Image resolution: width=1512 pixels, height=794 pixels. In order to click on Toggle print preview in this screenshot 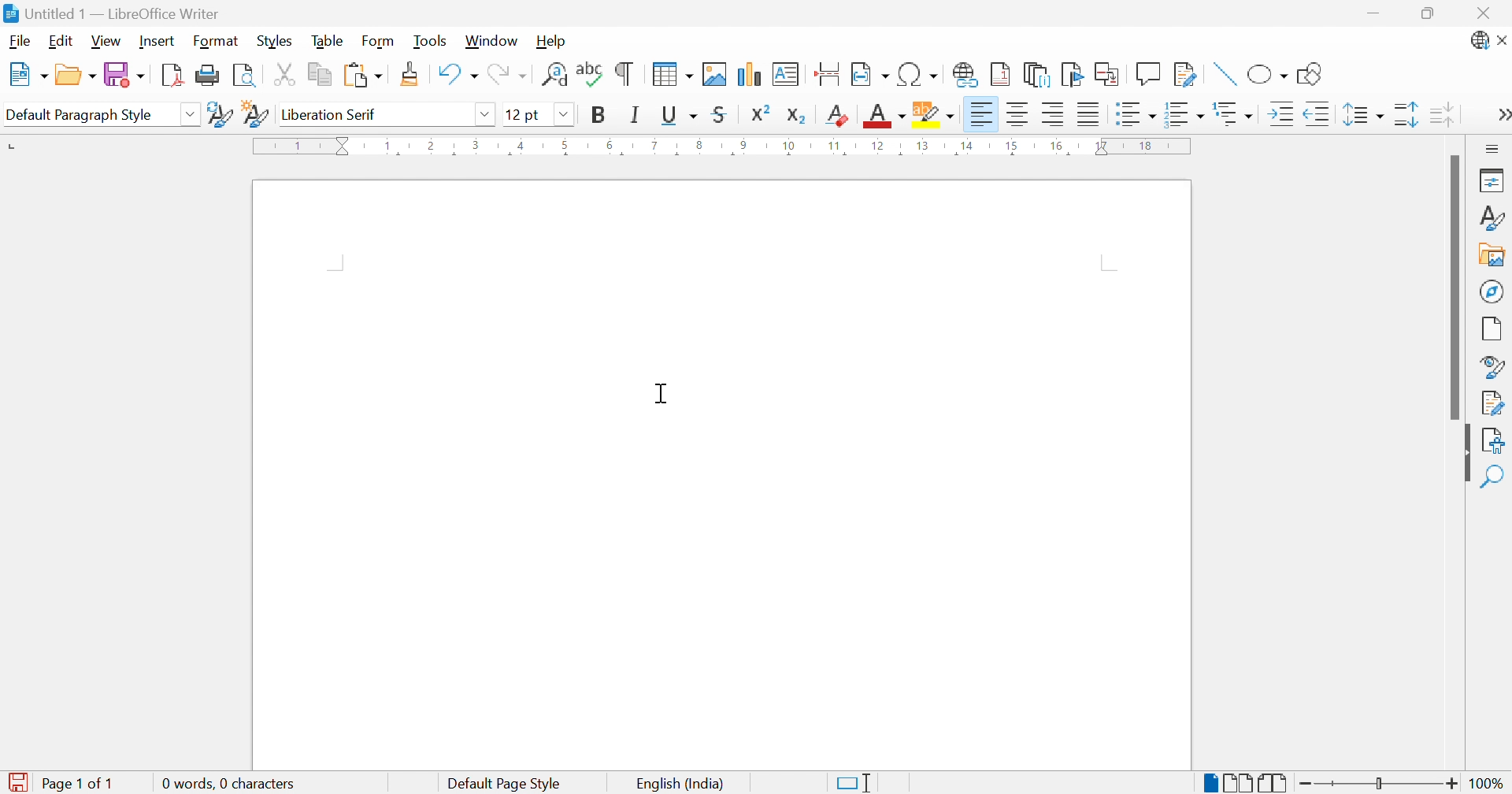, I will do `click(246, 76)`.